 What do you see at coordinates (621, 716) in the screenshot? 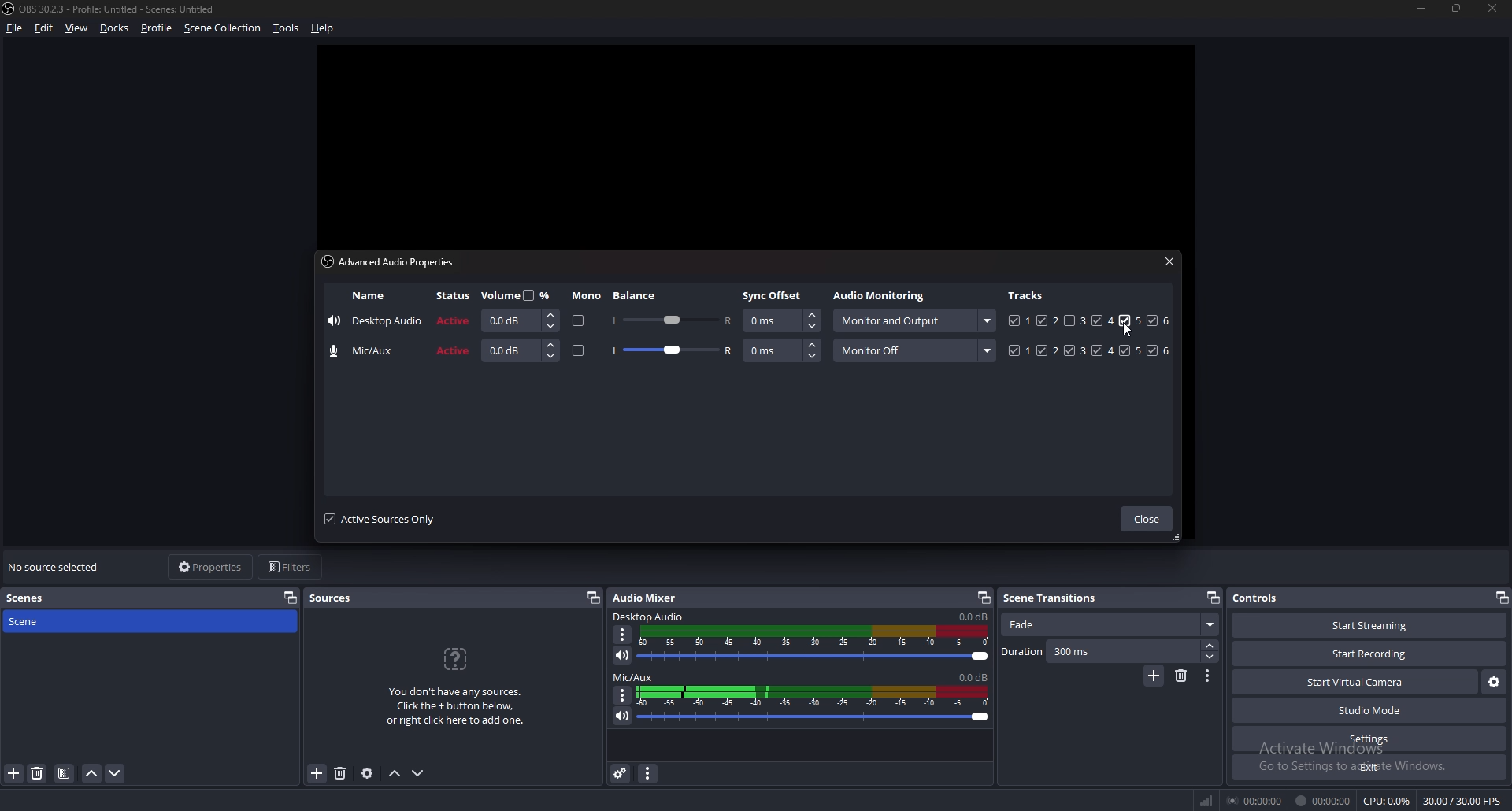
I see `mute` at bounding box center [621, 716].